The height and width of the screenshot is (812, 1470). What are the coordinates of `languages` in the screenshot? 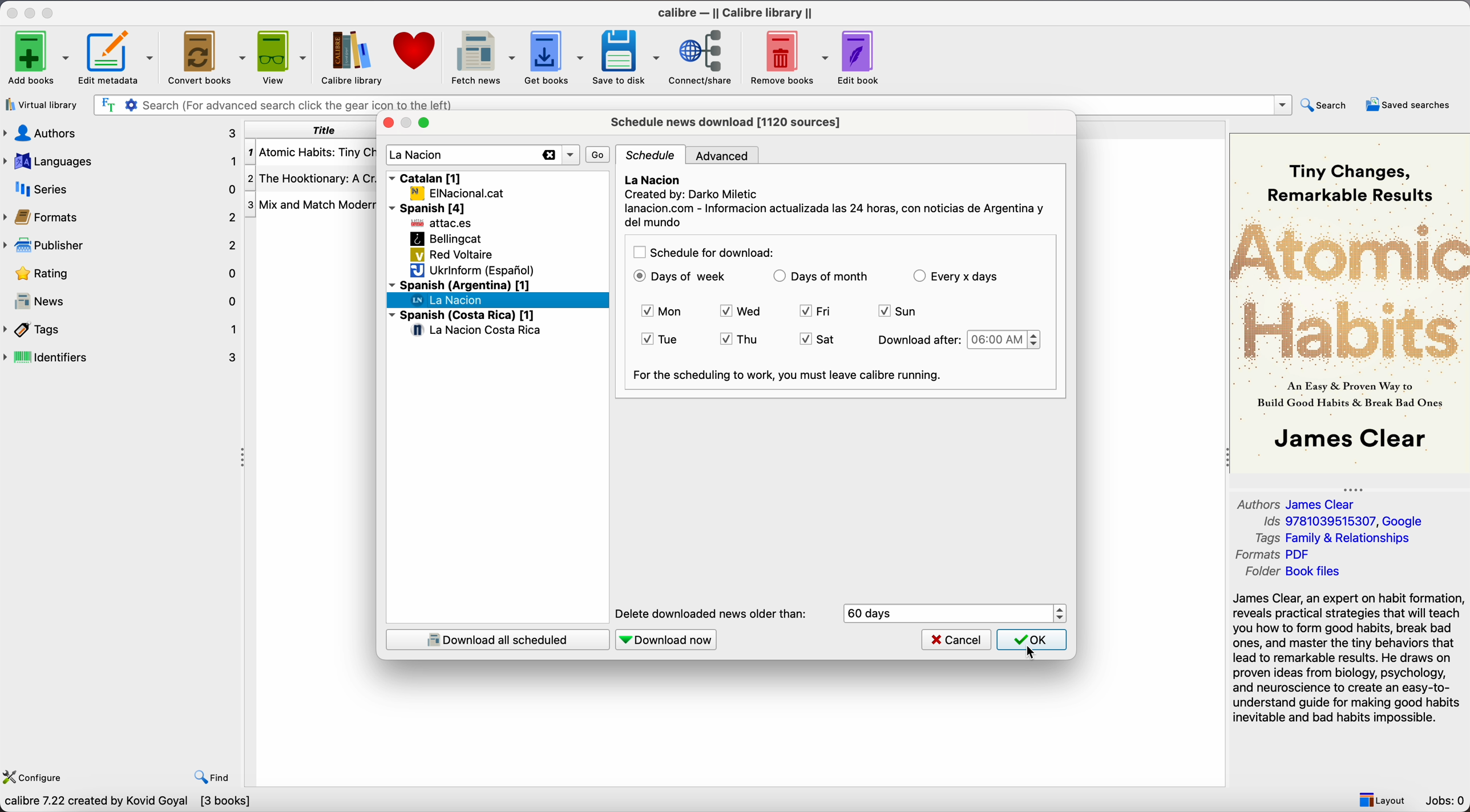 It's located at (122, 161).